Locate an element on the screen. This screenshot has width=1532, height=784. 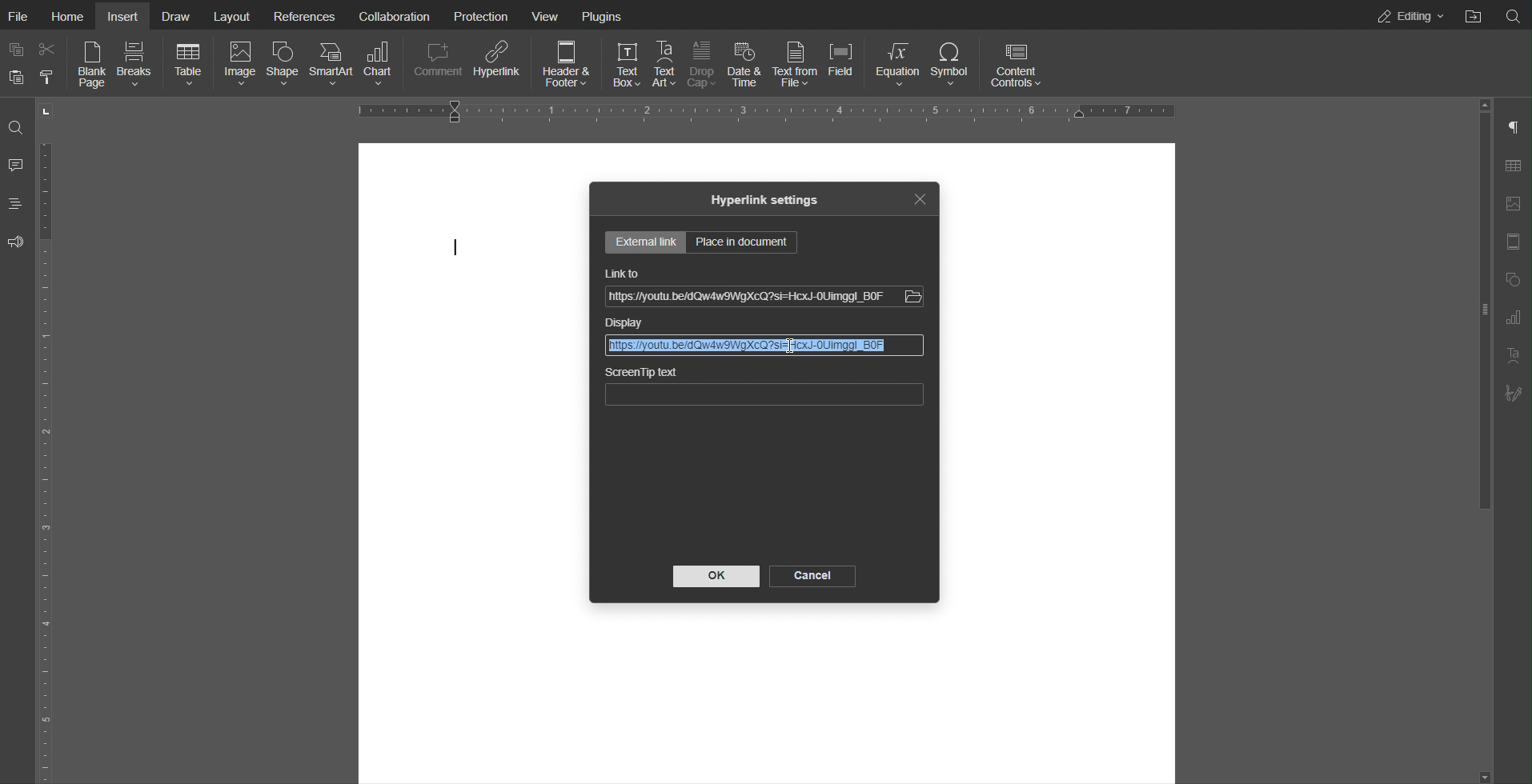
Horizontal Ruler is located at coordinates (746, 110).